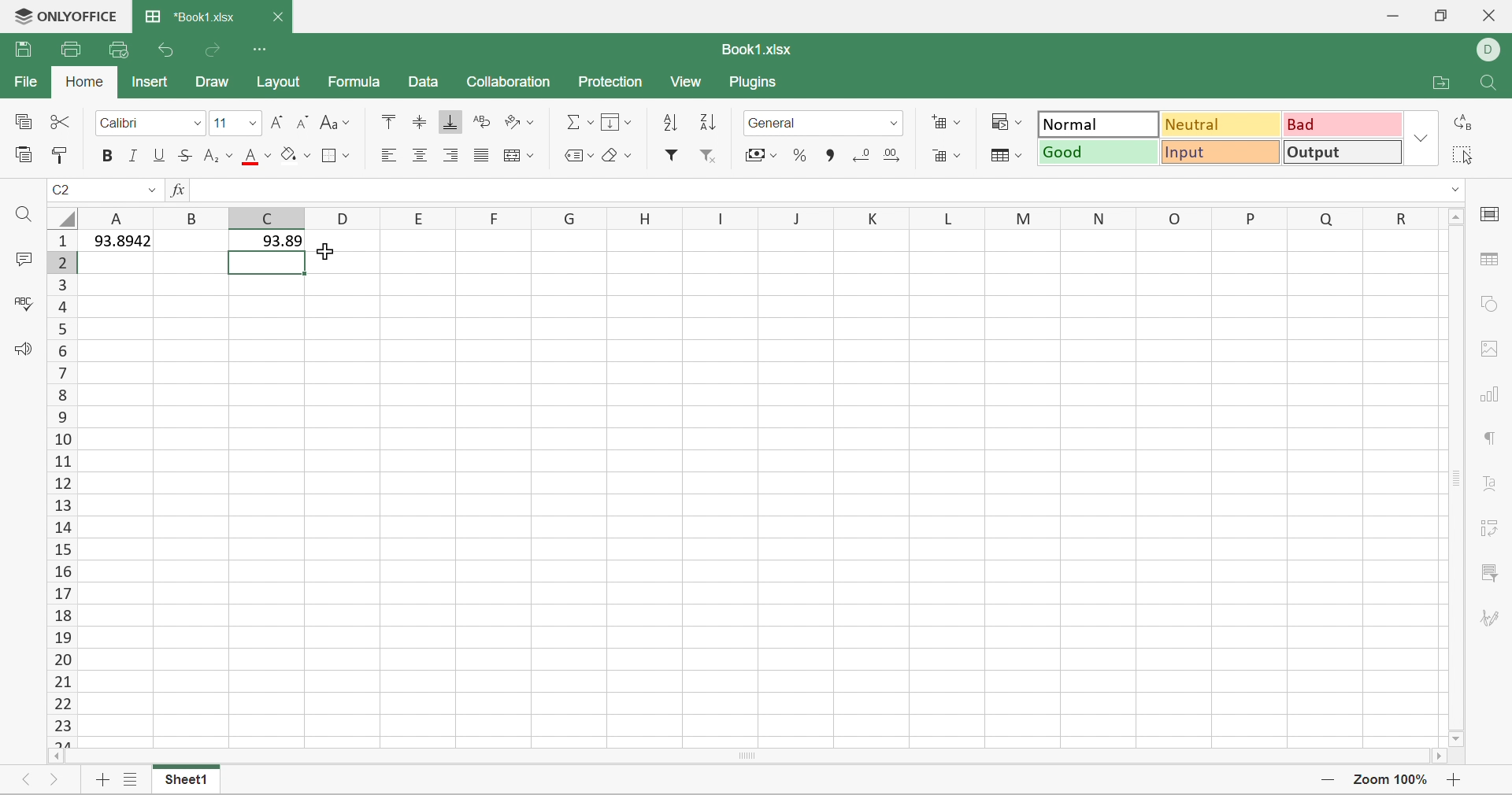 Image resolution: width=1512 pixels, height=795 pixels. Describe the element at coordinates (758, 48) in the screenshot. I see `Book1.xlsx` at that location.